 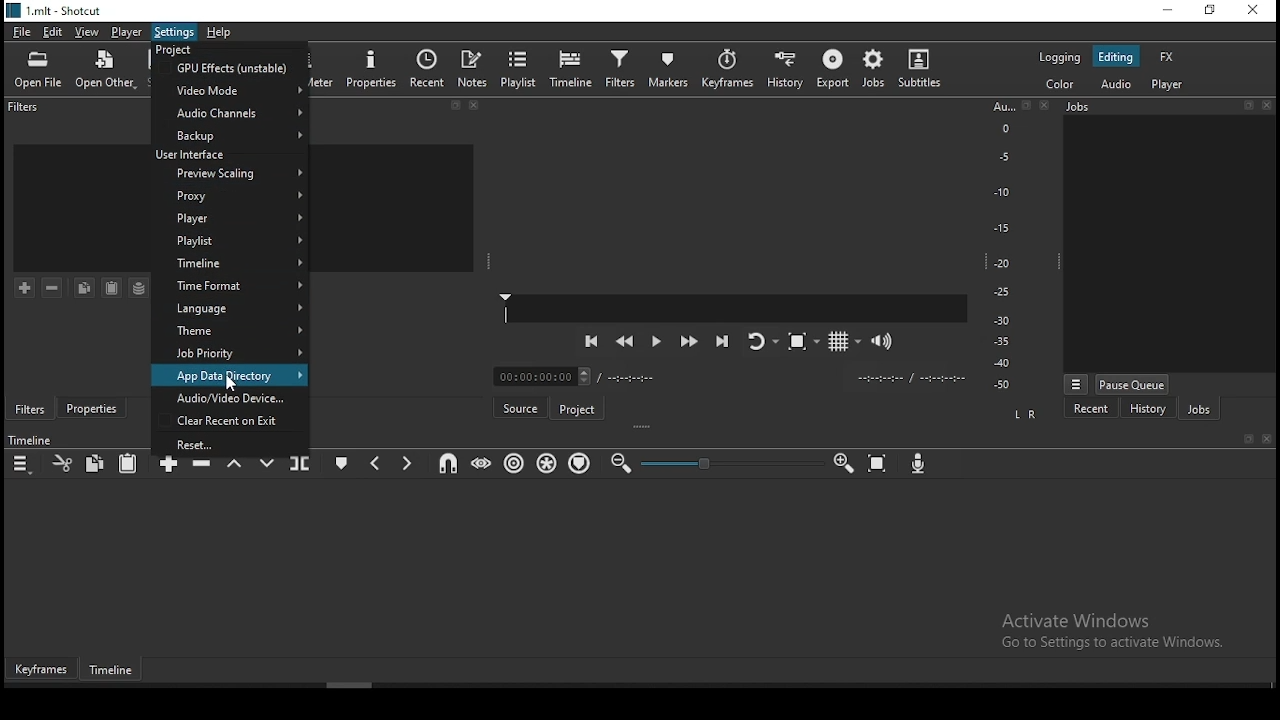 I want to click on next marker, so click(x=407, y=462).